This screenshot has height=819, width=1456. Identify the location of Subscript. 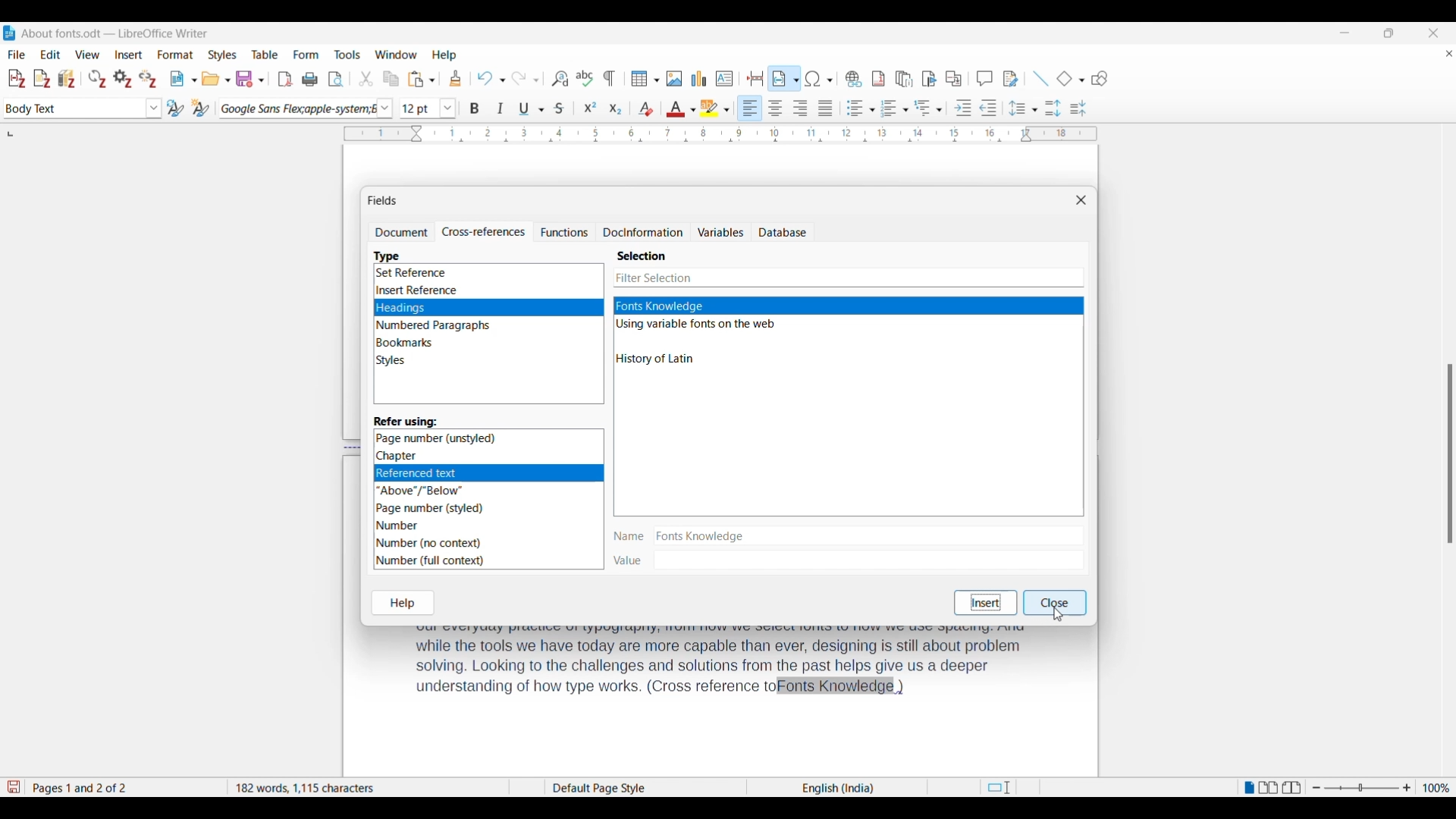
(616, 109).